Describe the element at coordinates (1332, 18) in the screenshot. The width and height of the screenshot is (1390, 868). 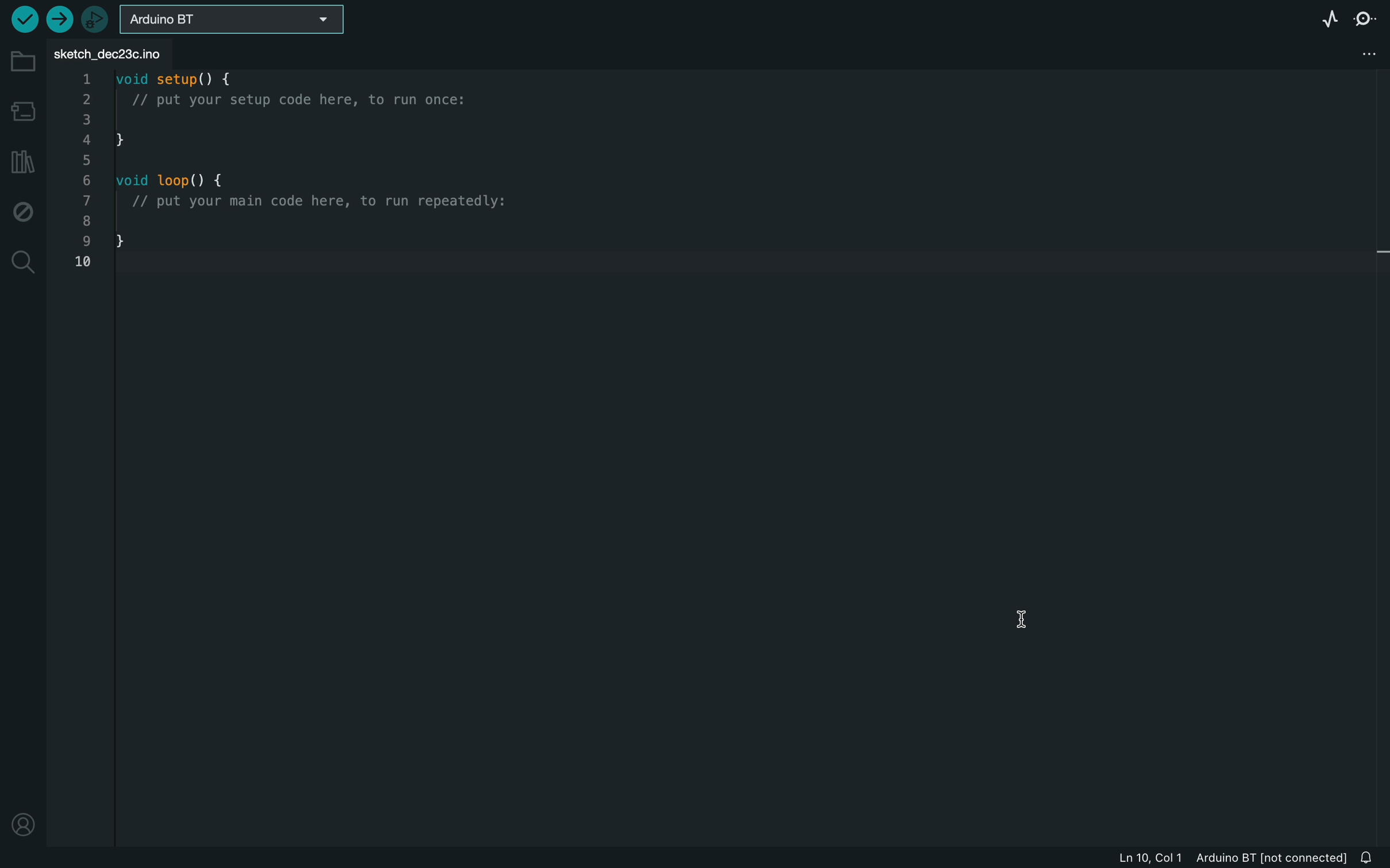
I see `serial plotter` at that location.